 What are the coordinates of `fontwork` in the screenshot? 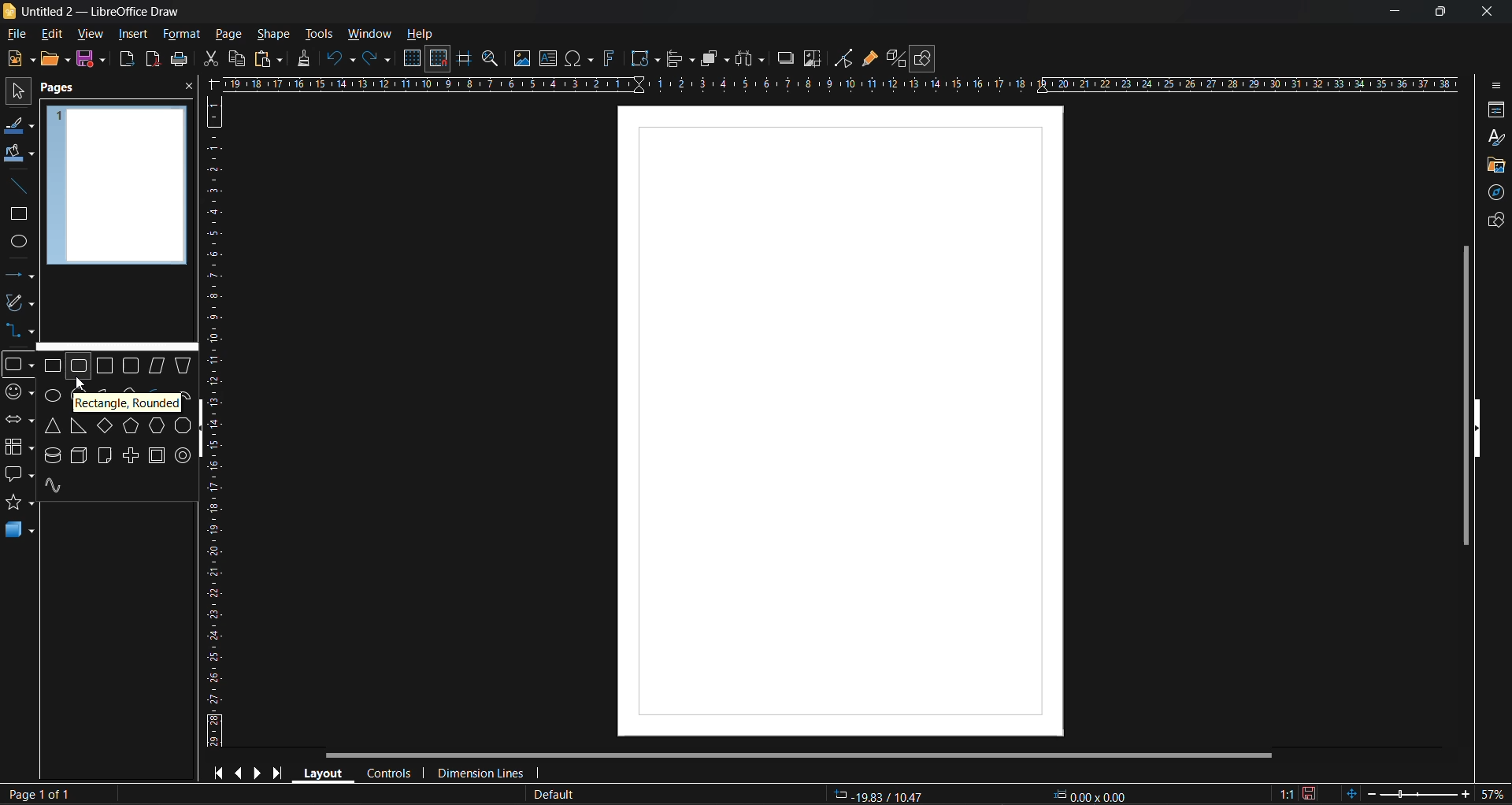 It's located at (612, 57).